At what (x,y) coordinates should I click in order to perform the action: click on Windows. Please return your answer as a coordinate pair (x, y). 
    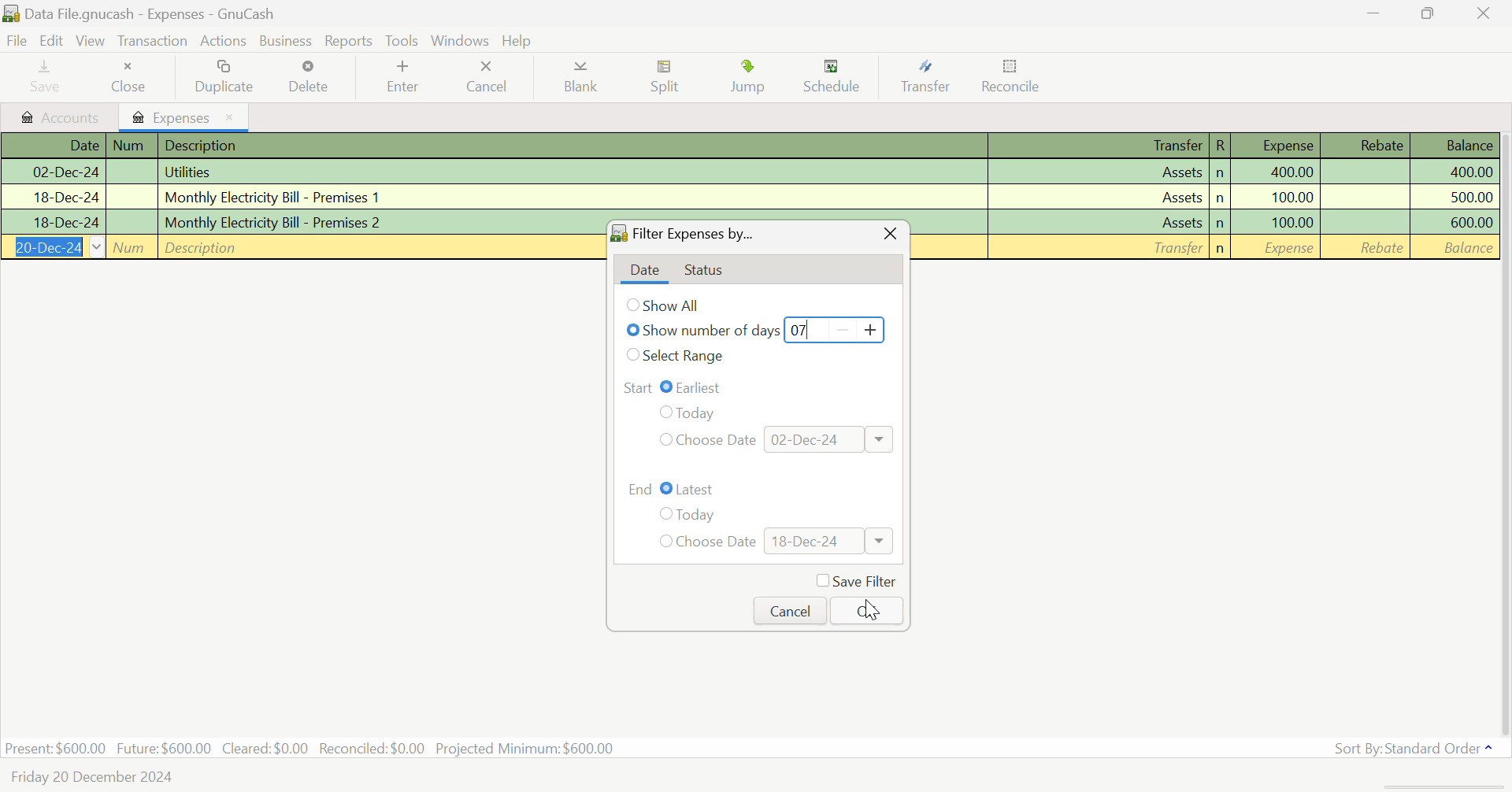
    Looking at the image, I should click on (461, 39).